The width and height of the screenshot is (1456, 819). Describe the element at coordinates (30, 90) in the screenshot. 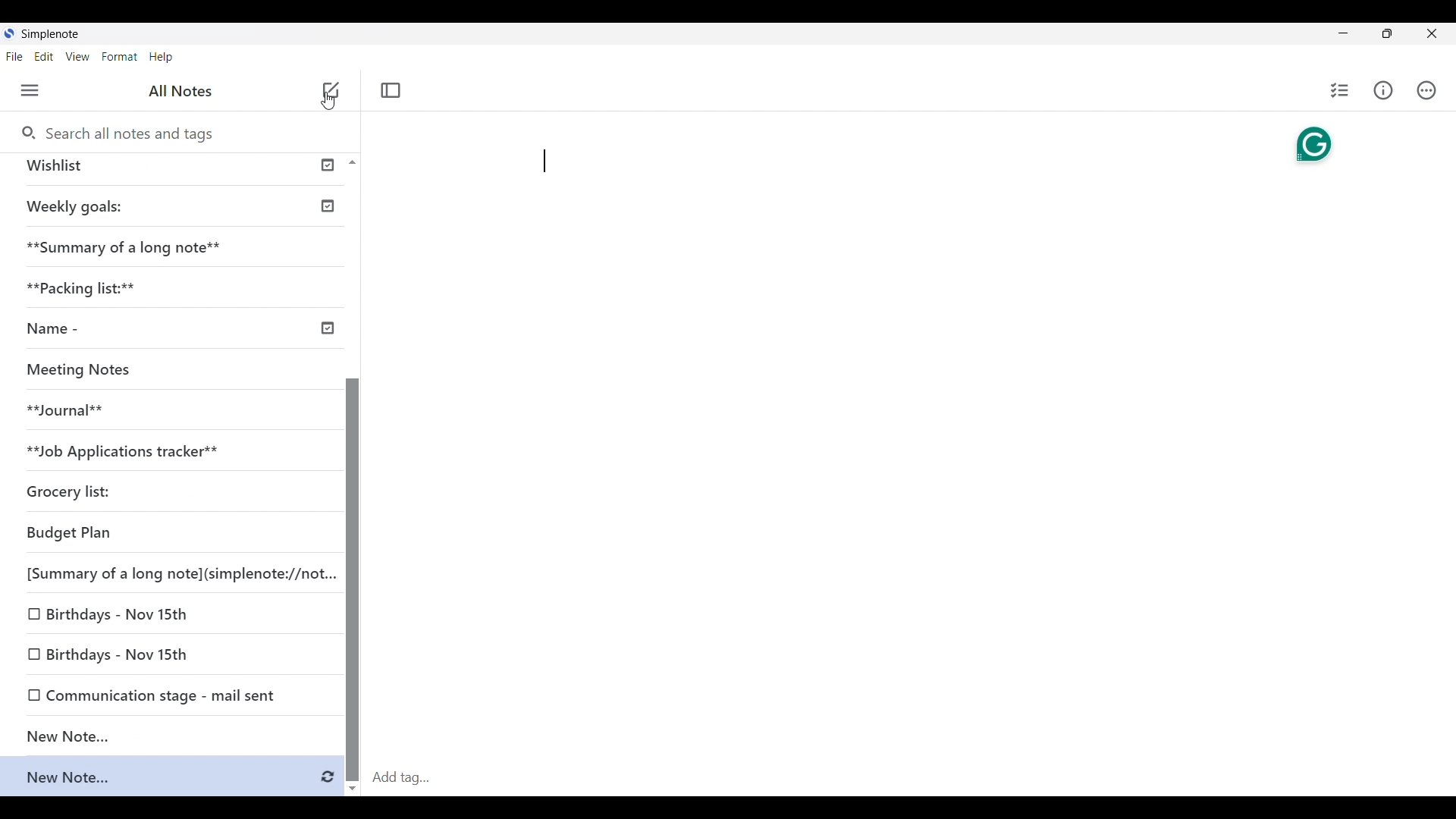

I see `Menu` at that location.